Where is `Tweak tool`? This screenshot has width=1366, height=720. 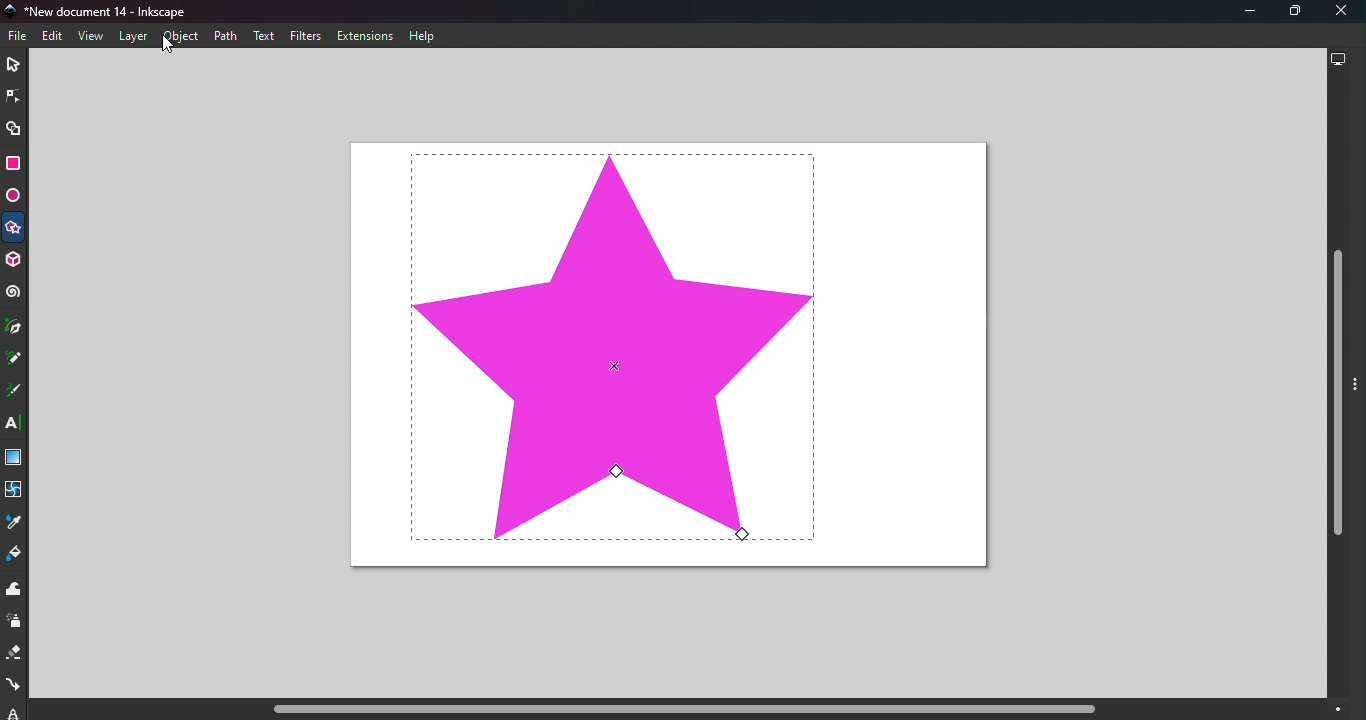 Tweak tool is located at coordinates (17, 590).